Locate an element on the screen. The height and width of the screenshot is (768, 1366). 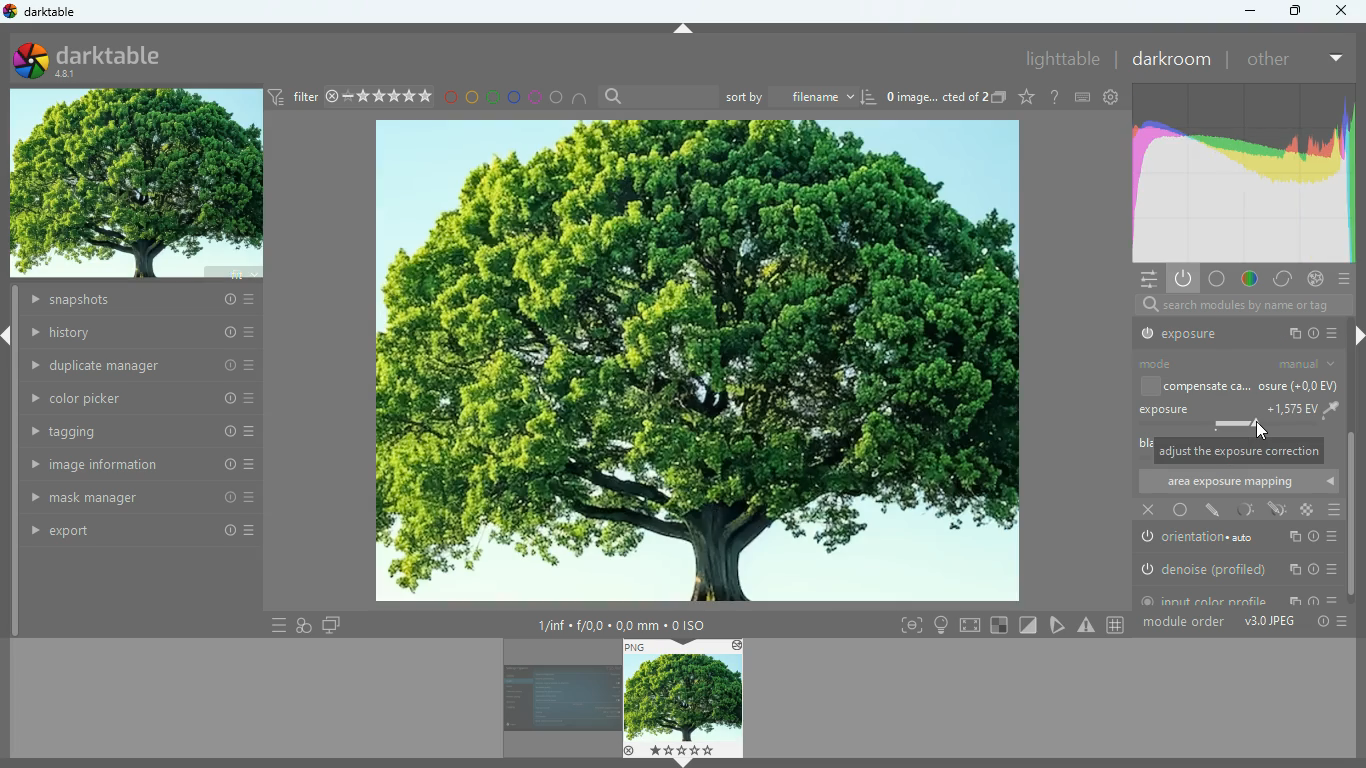
output profile is located at coordinates (1236, 333).